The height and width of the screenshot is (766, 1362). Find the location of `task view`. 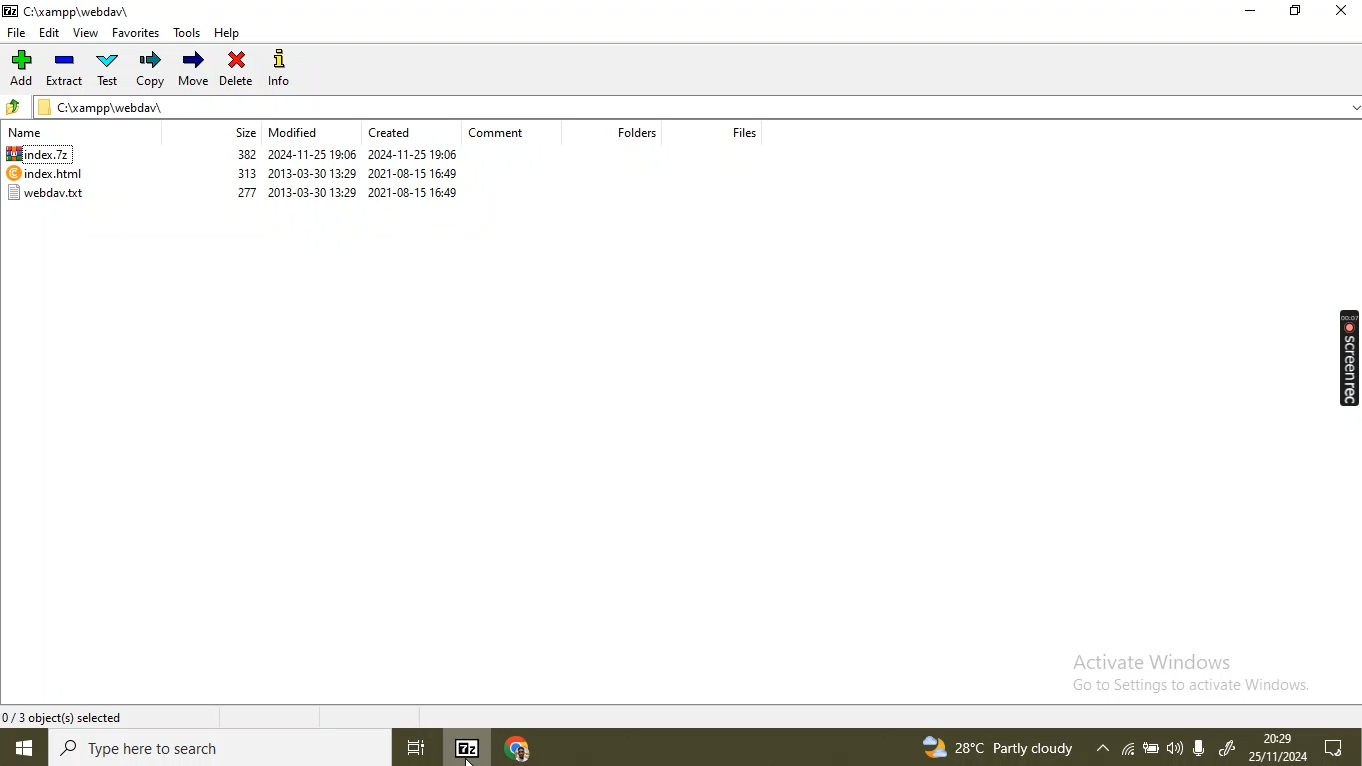

task view is located at coordinates (418, 749).